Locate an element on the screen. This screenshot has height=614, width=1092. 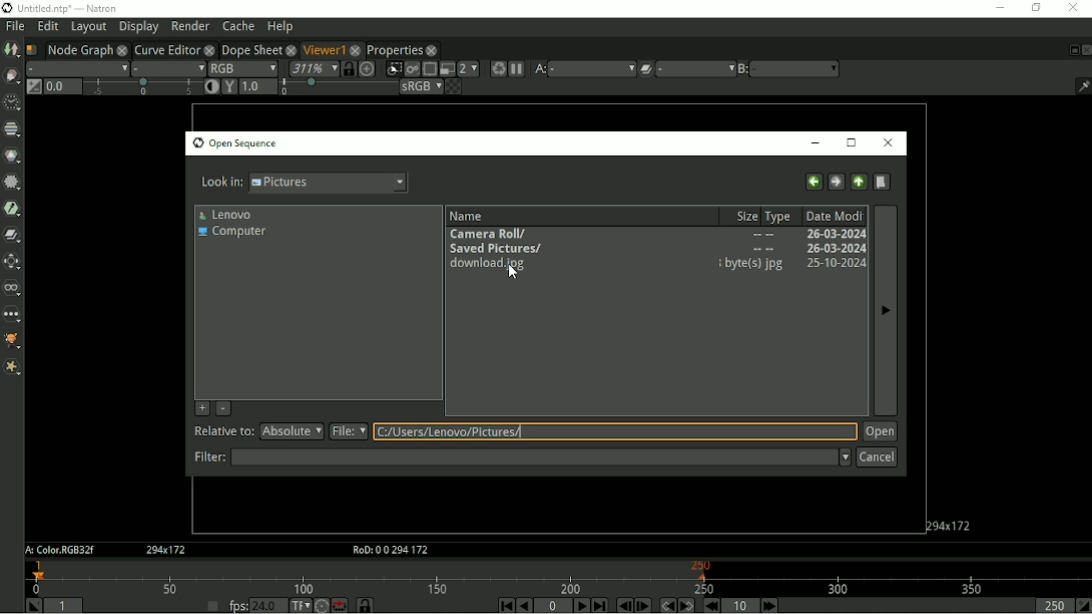
Behaviour is located at coordinates (339, 605).